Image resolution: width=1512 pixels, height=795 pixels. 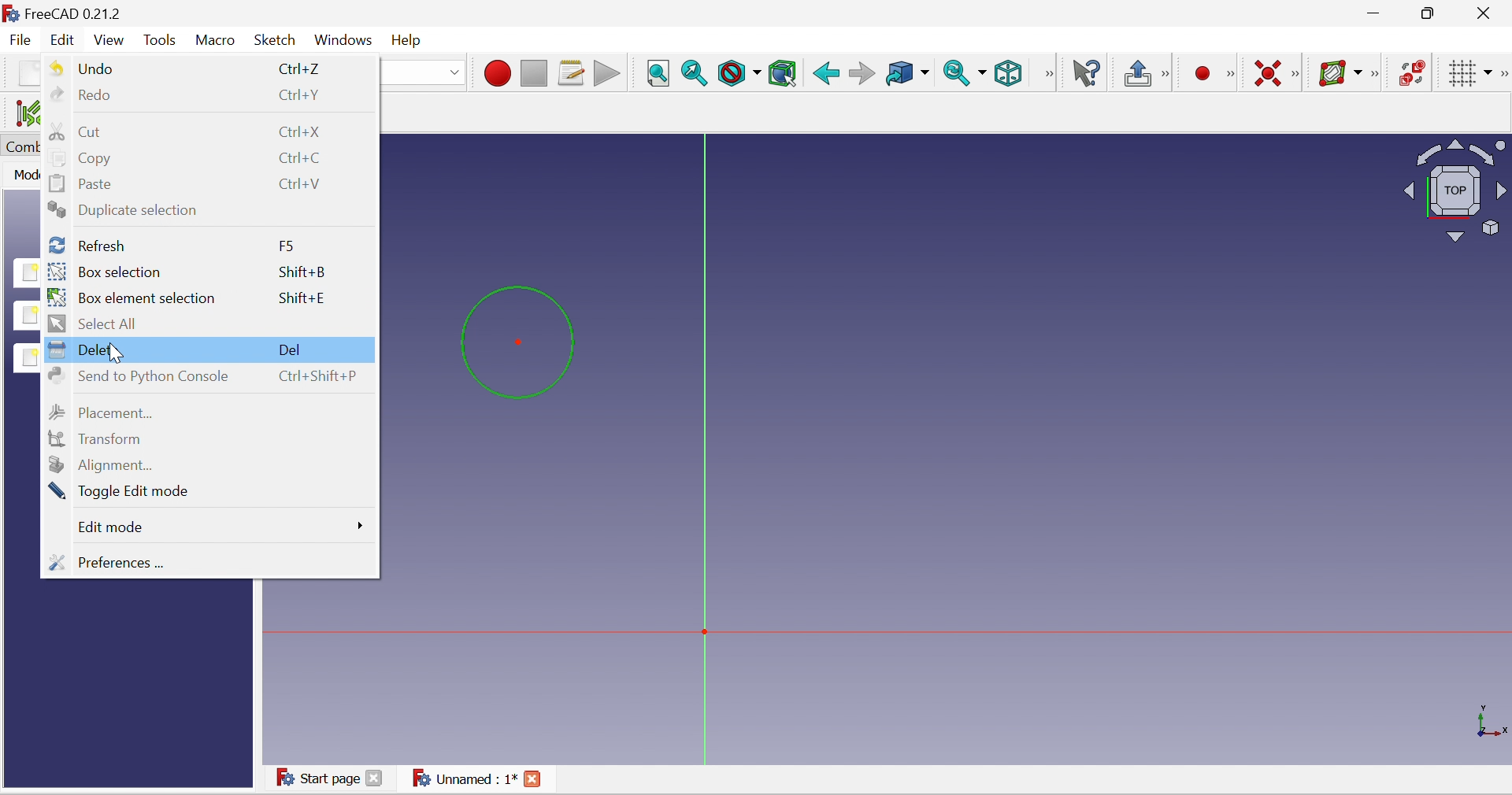 I want to click on Start page, so click(x=332, y=778).